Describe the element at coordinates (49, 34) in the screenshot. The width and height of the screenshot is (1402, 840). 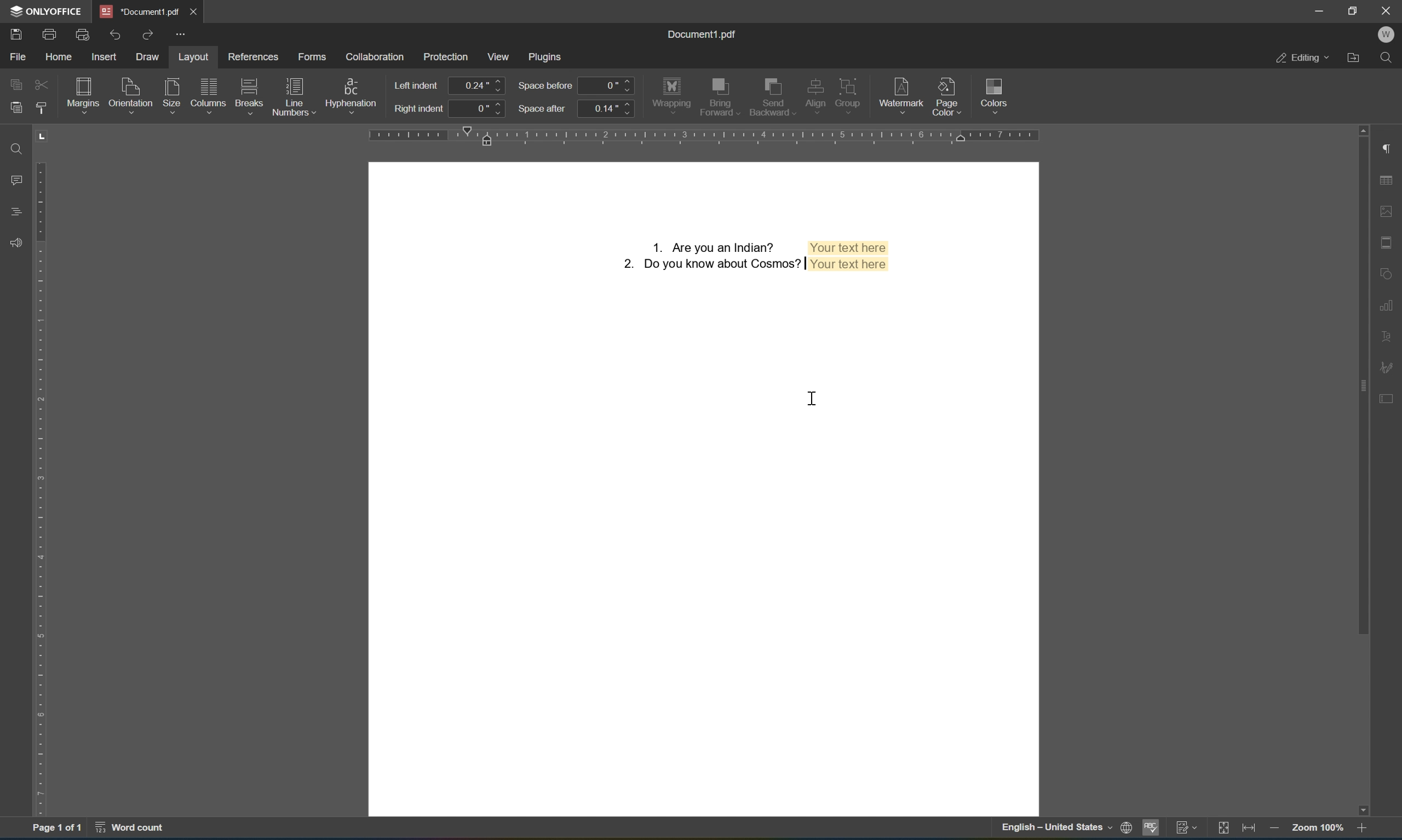
I see `print` at that location.